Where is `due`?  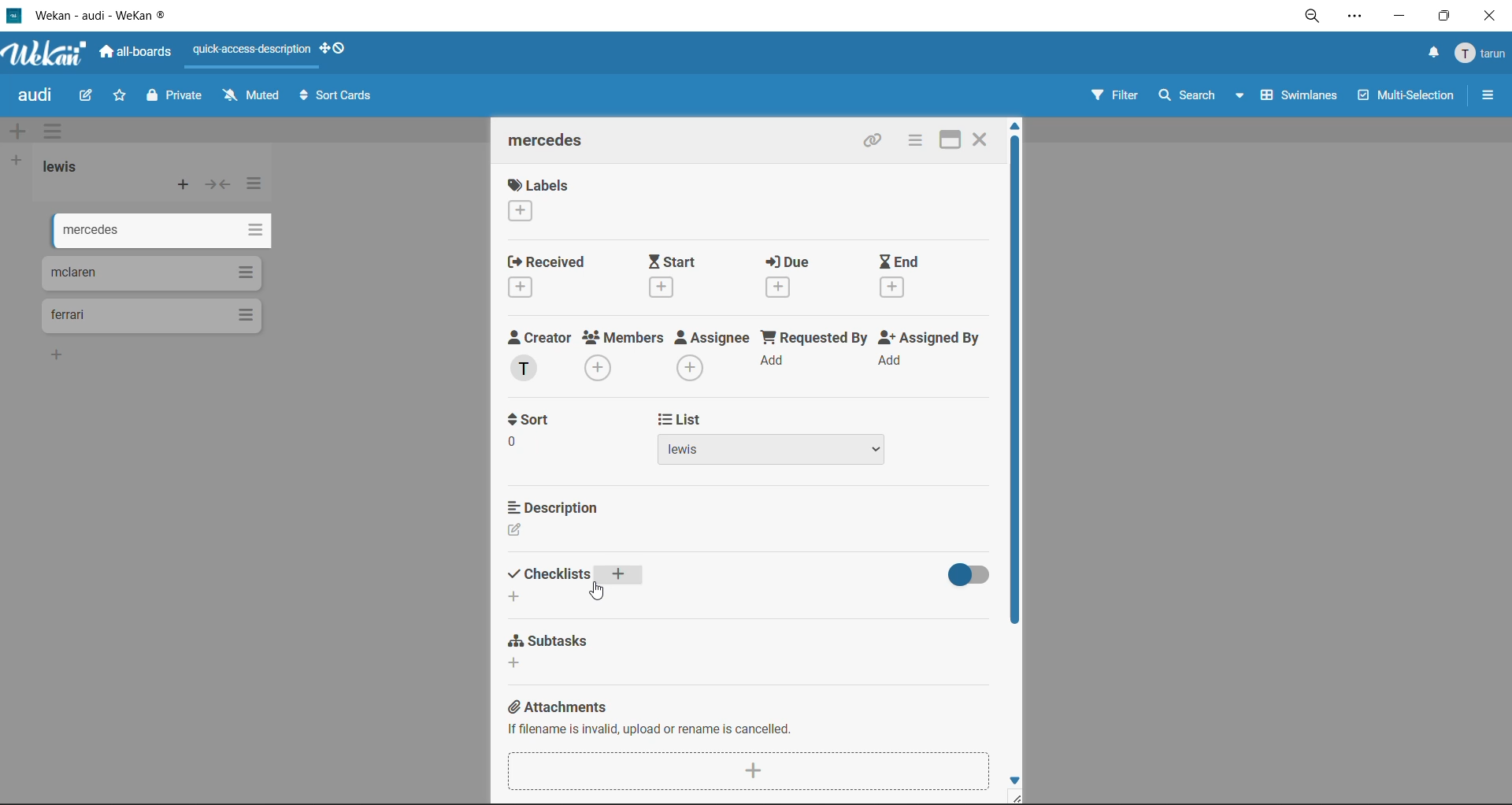 due is located at coordinates (799, 280).